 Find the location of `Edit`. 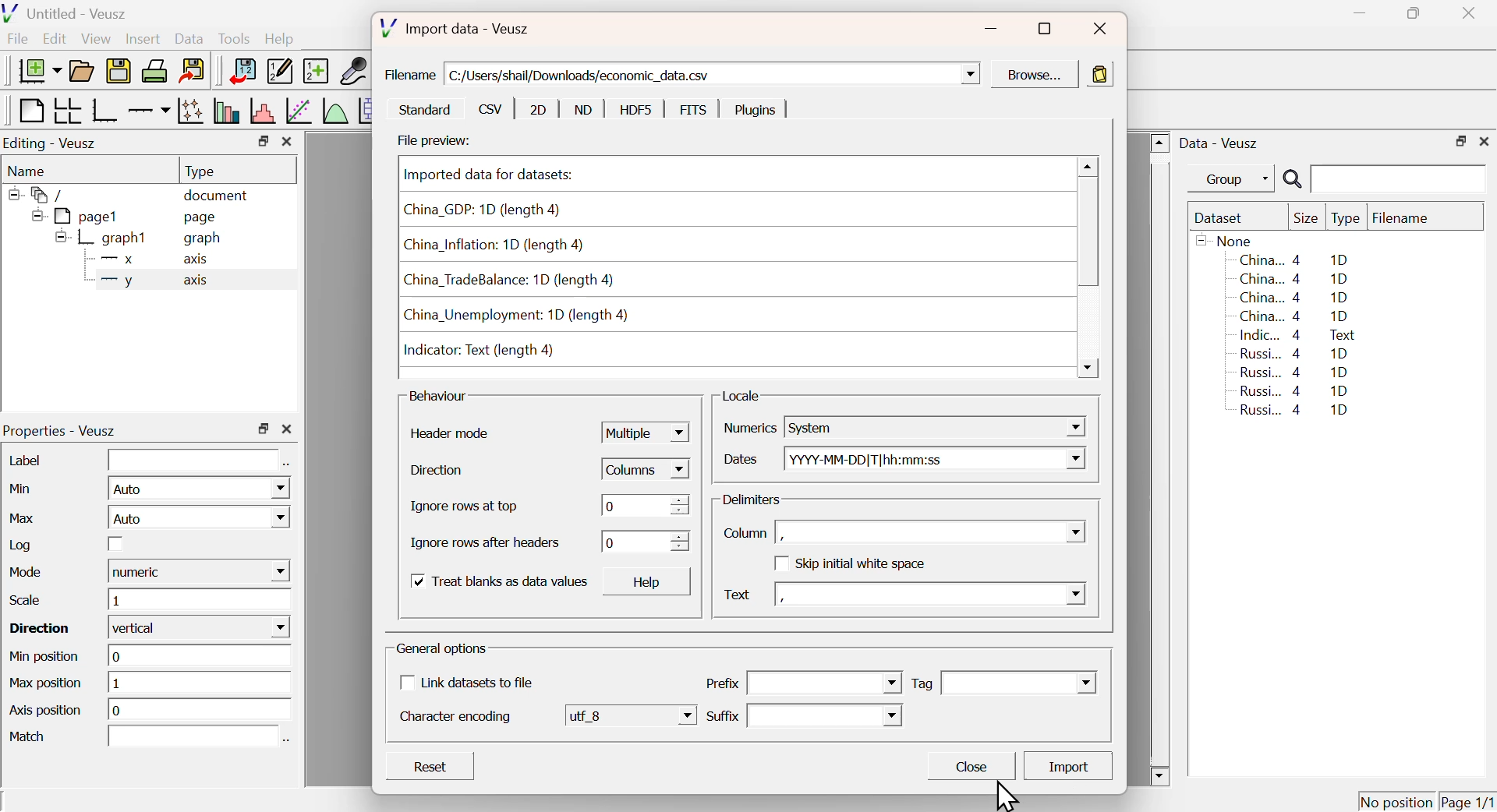

Edit is located at coordinates (55, 37).